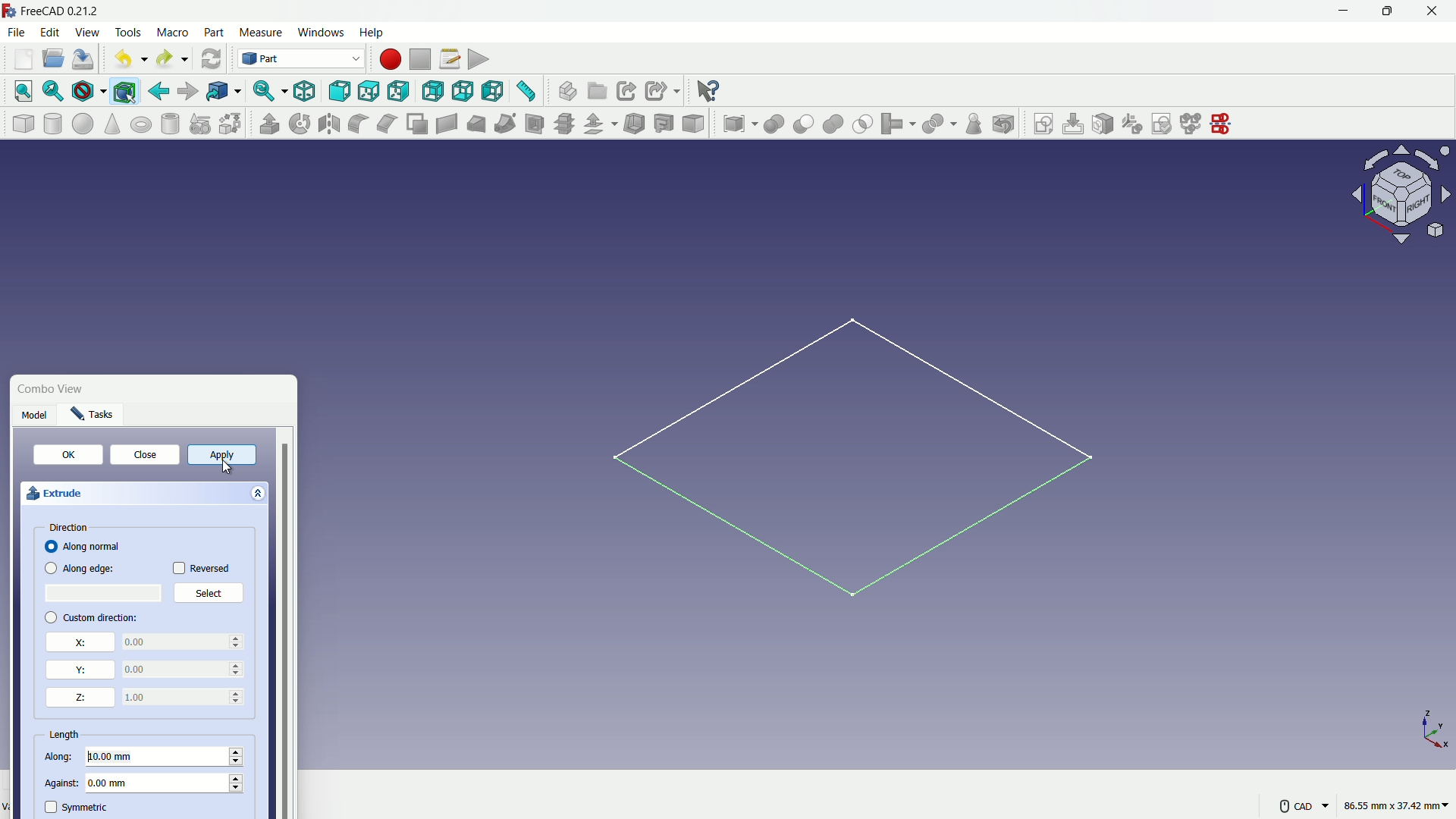  Describe the element at coordinates (23, 124) in the screenshot. I see `cube` at that location.